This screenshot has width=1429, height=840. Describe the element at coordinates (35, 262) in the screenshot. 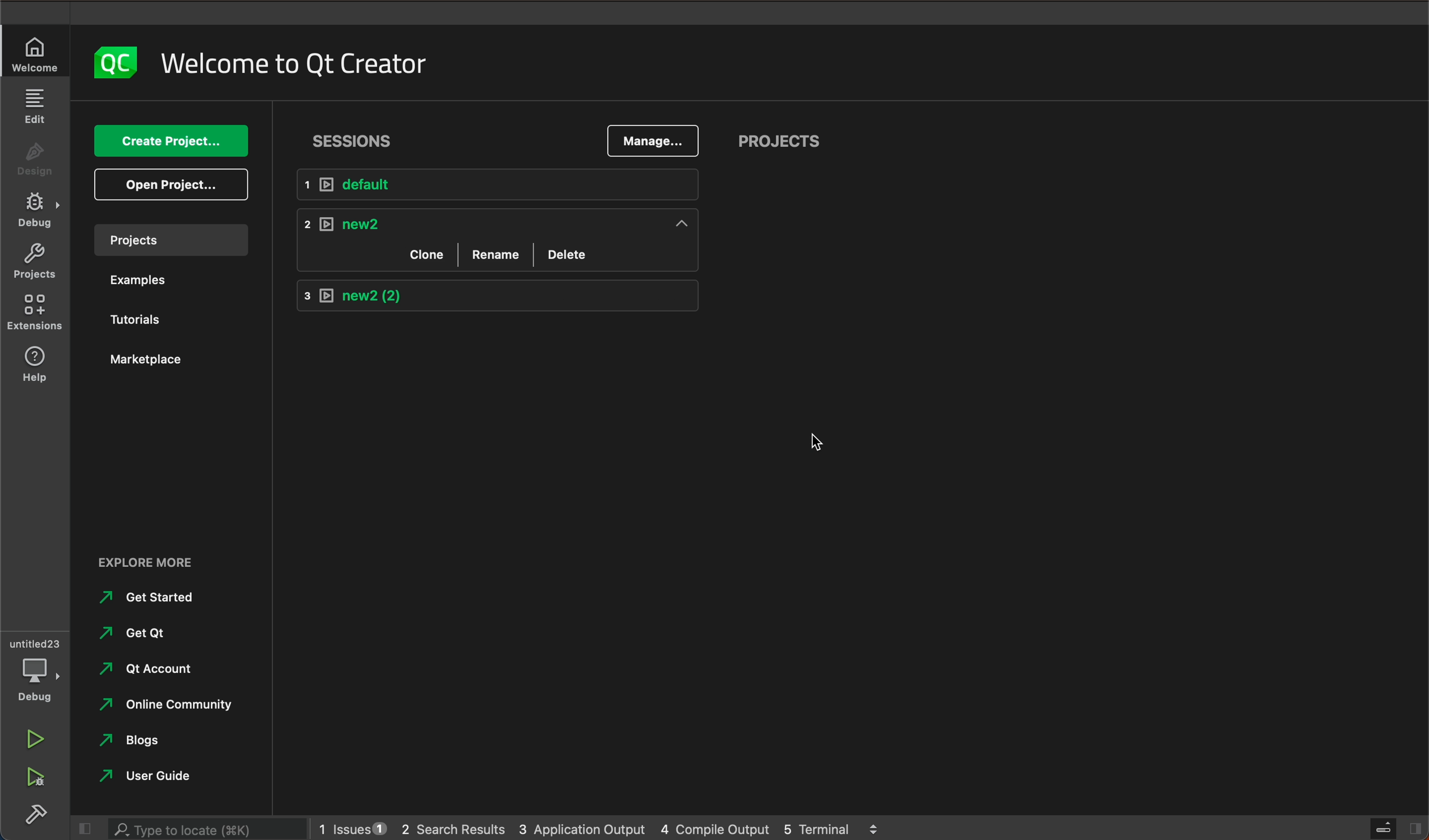

I see `projects` at that location.